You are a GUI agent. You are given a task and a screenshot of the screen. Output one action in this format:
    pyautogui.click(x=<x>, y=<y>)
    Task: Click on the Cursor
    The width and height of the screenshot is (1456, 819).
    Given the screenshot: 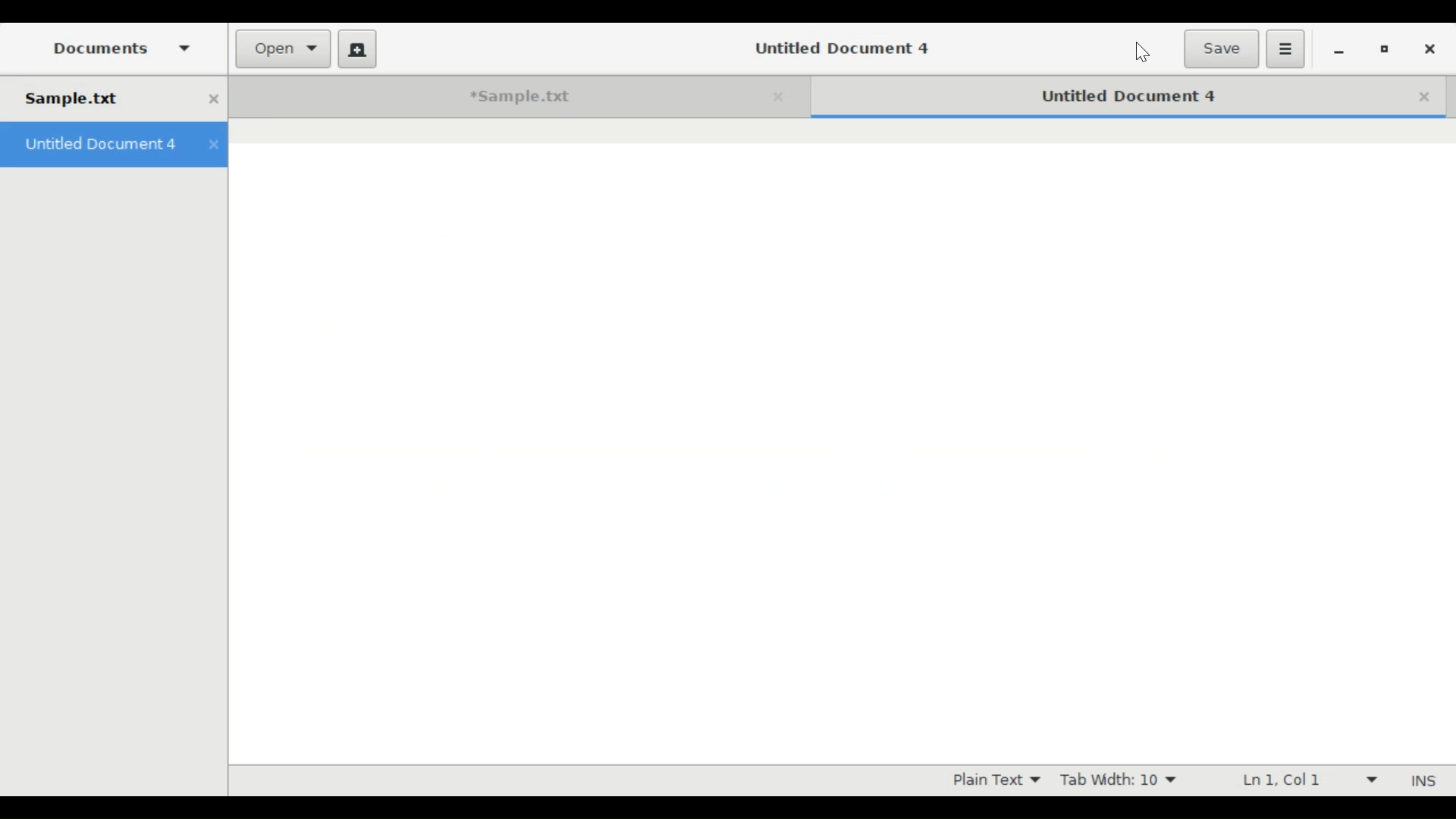 What is the action you would take?
    pyautogui.click(x=1145, y=51)
    